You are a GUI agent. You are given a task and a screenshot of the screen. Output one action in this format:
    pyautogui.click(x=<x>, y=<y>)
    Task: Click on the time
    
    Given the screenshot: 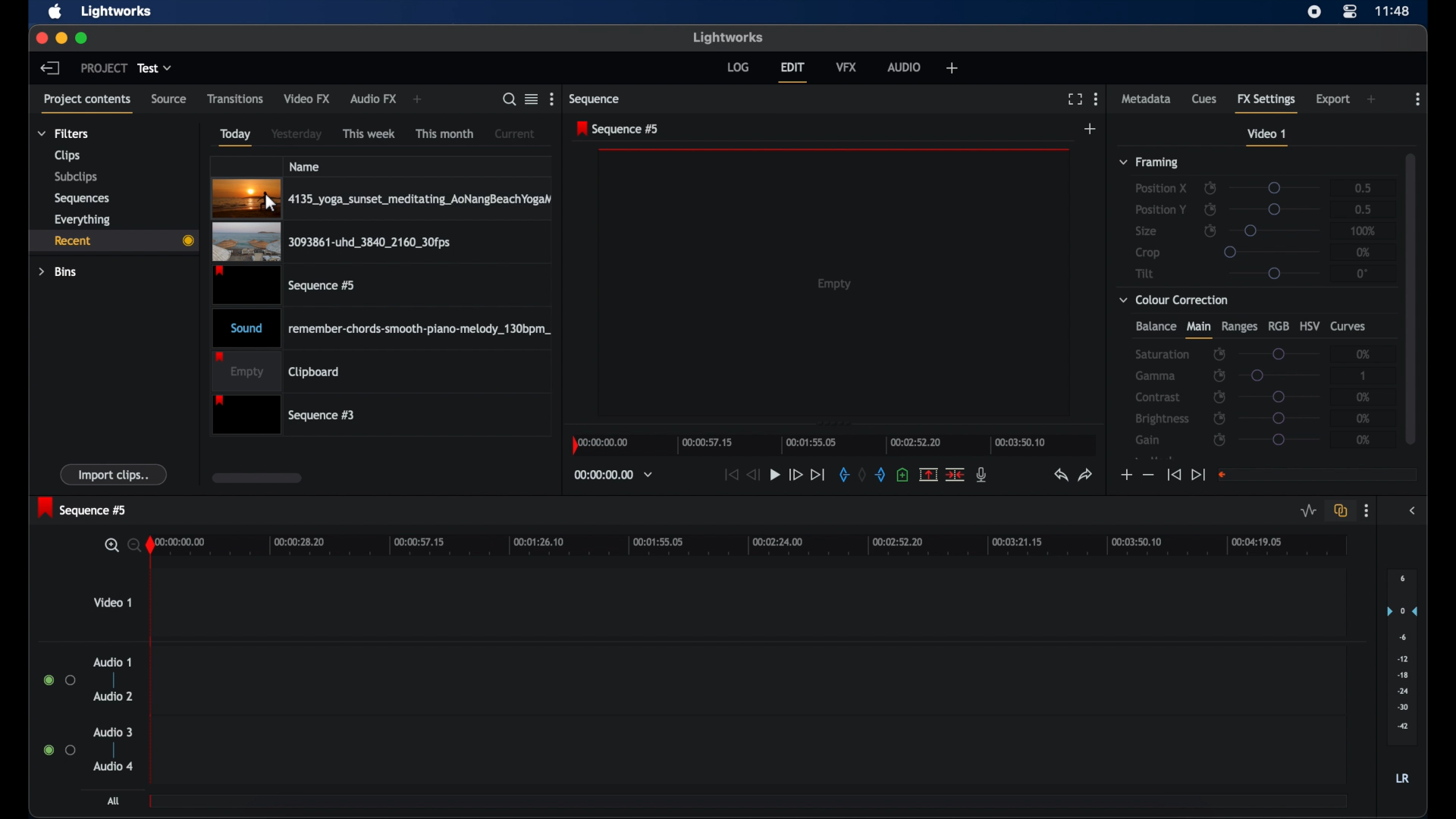 What is the action you would take?
    pyautogui.click(x=1394, y=10)
    